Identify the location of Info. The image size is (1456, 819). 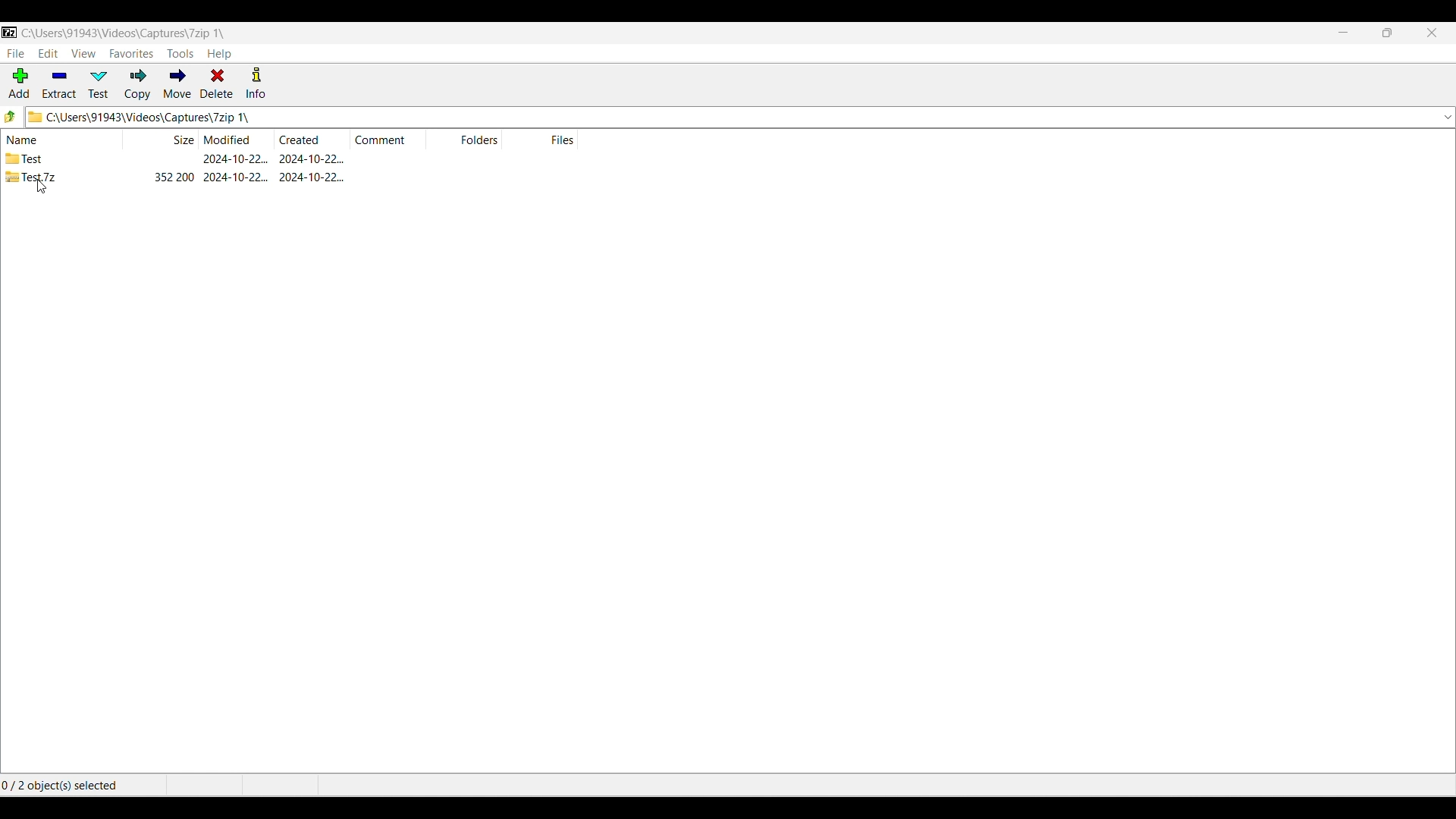
(256, 83).